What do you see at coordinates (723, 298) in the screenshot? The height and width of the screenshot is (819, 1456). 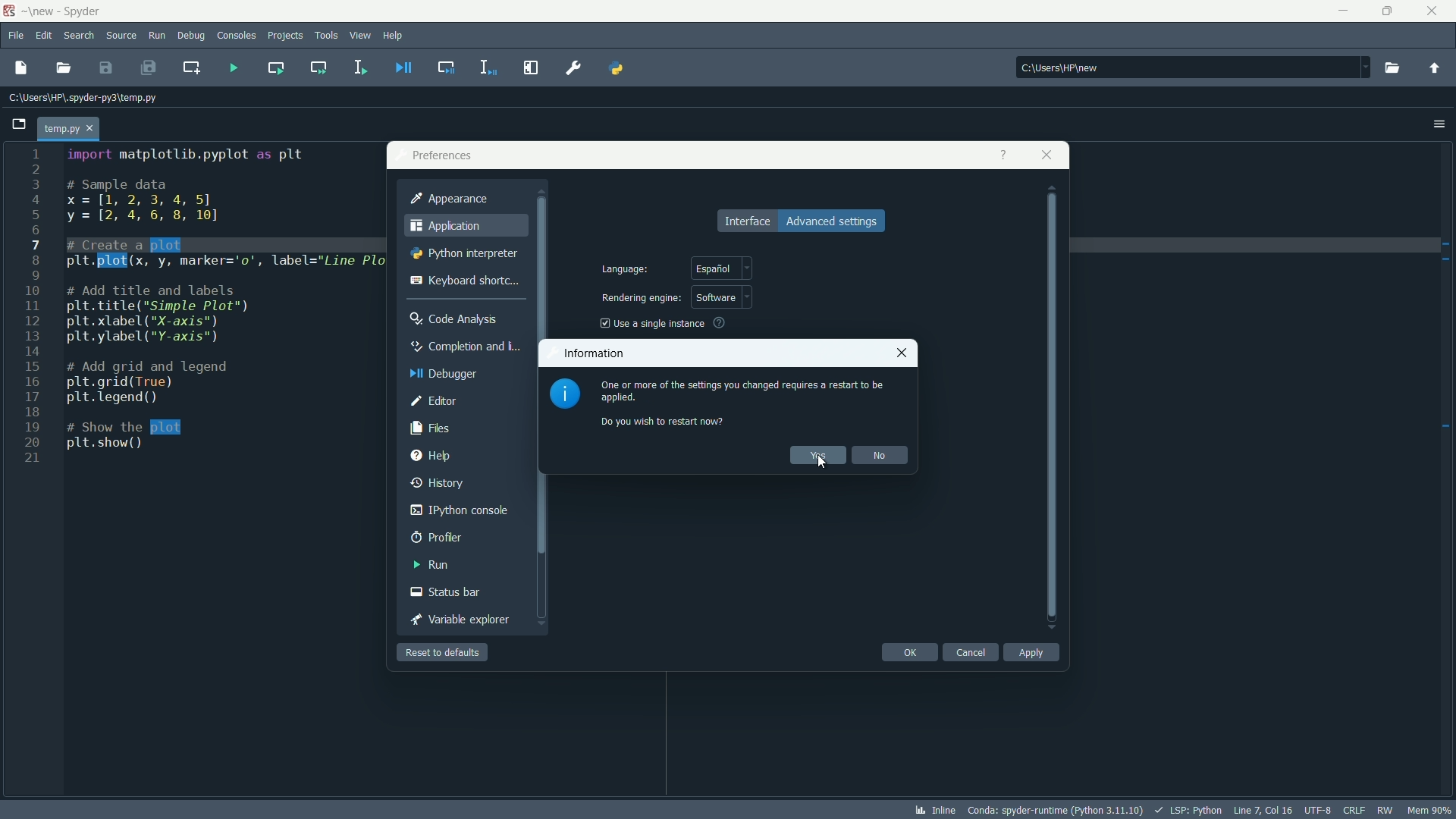 I see `software` at bounding box center [723, 298].